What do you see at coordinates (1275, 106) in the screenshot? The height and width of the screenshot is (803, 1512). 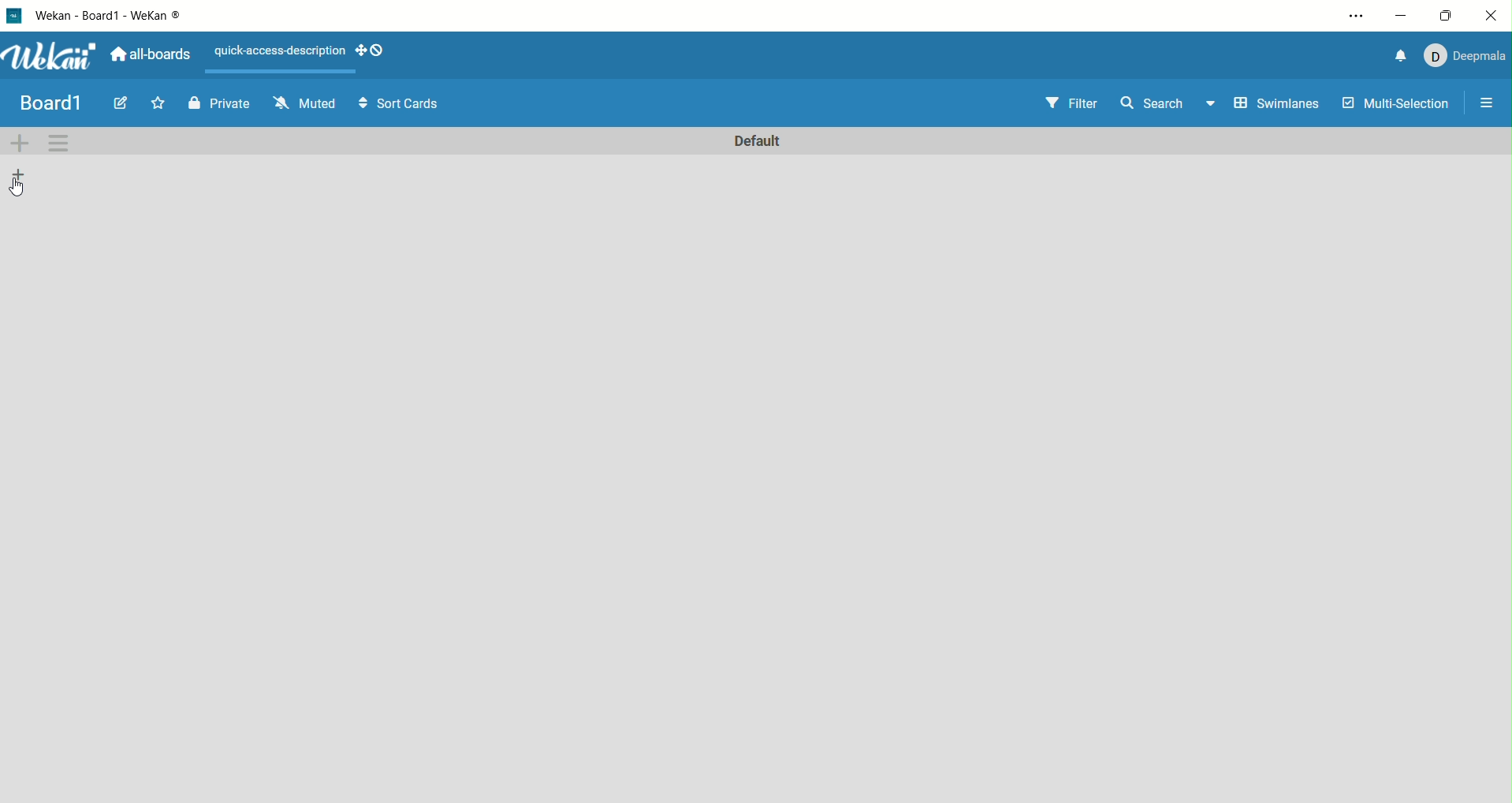 I see `swimlanes` at bounding box center [1275, 106].